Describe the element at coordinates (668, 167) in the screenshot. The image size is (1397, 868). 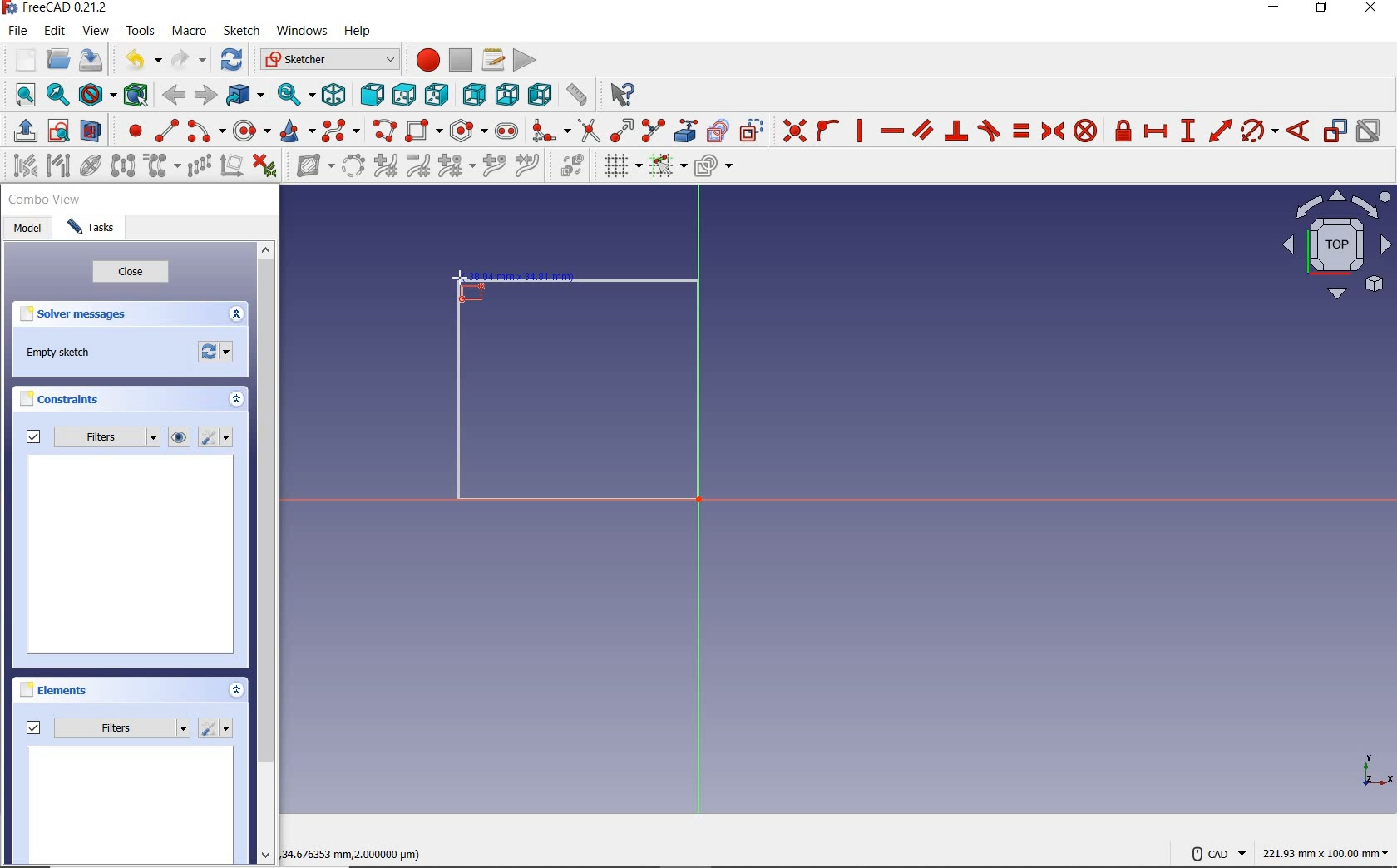
I see `toggle snap` at that location.